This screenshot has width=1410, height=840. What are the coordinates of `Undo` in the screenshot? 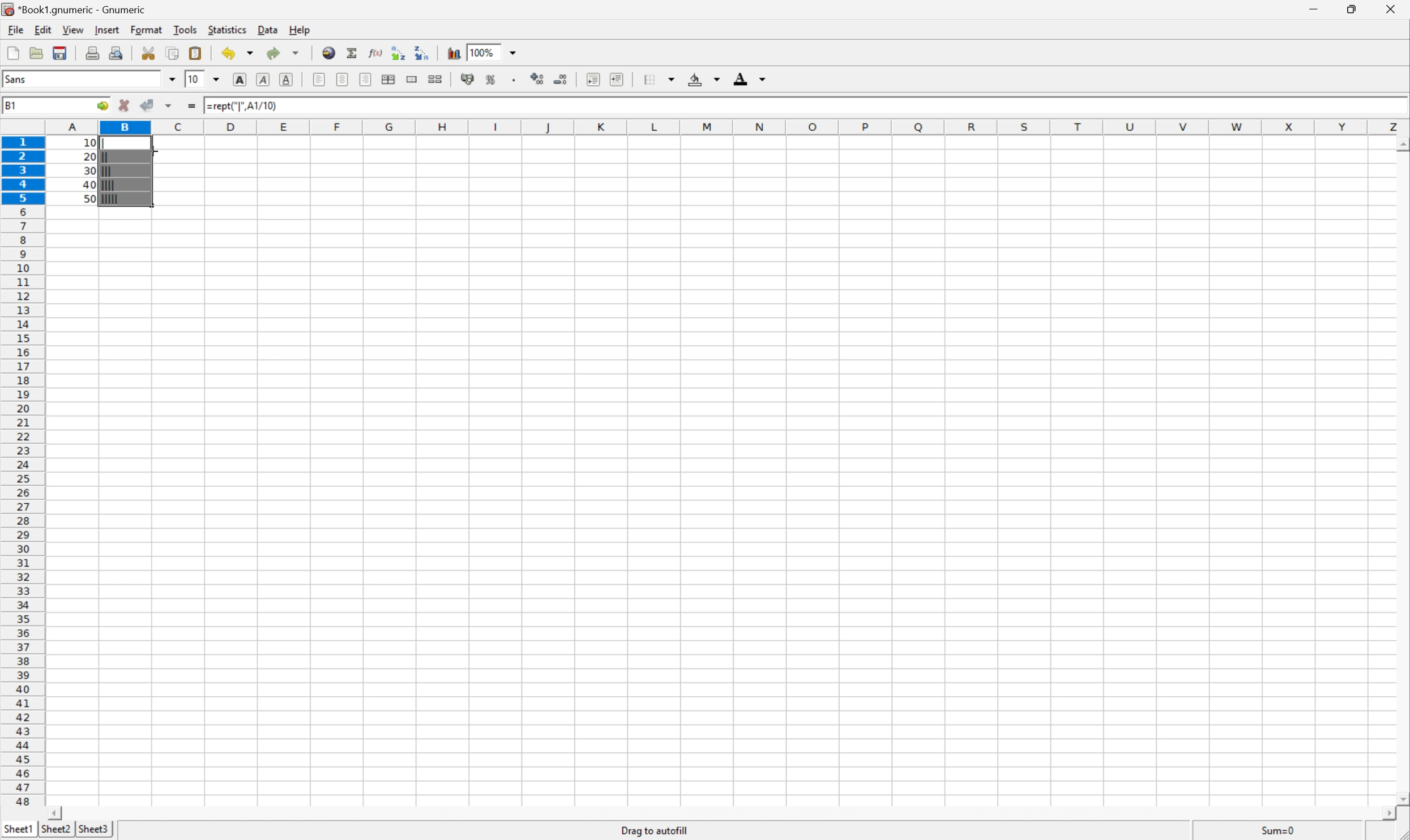 It's located at (237, 52).